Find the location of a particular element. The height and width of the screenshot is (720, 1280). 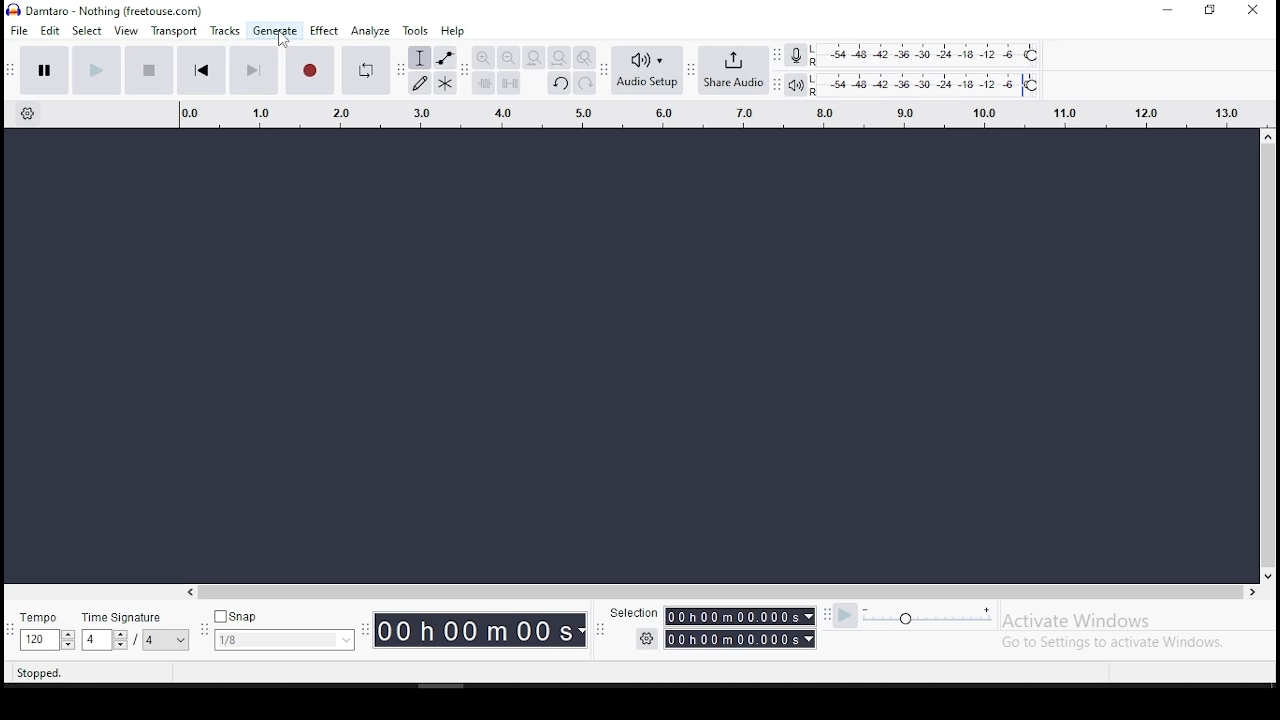

skip to start is located at coordinates (201, 69).